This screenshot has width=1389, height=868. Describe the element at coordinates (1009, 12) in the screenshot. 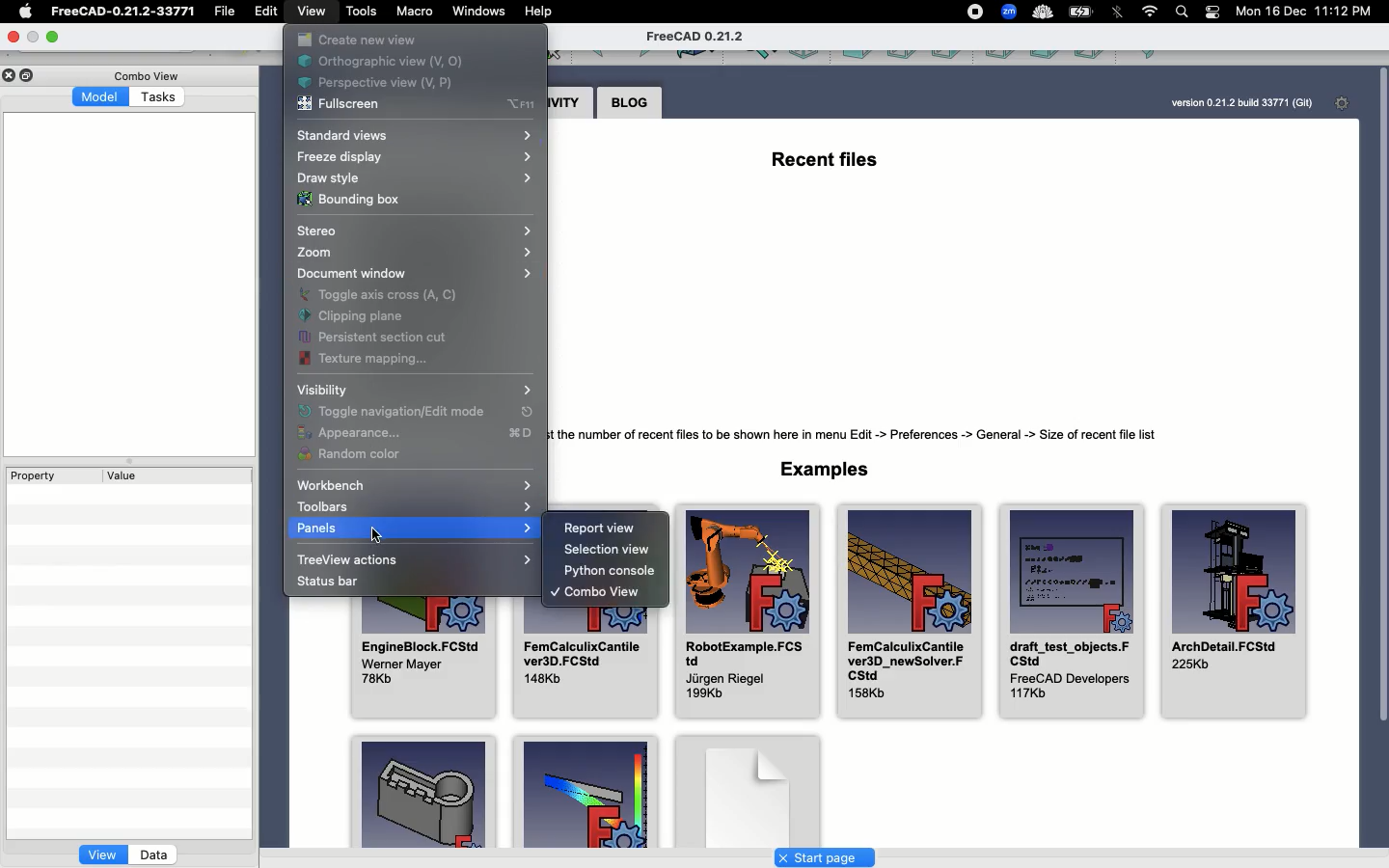

I see `zoom` at that location.